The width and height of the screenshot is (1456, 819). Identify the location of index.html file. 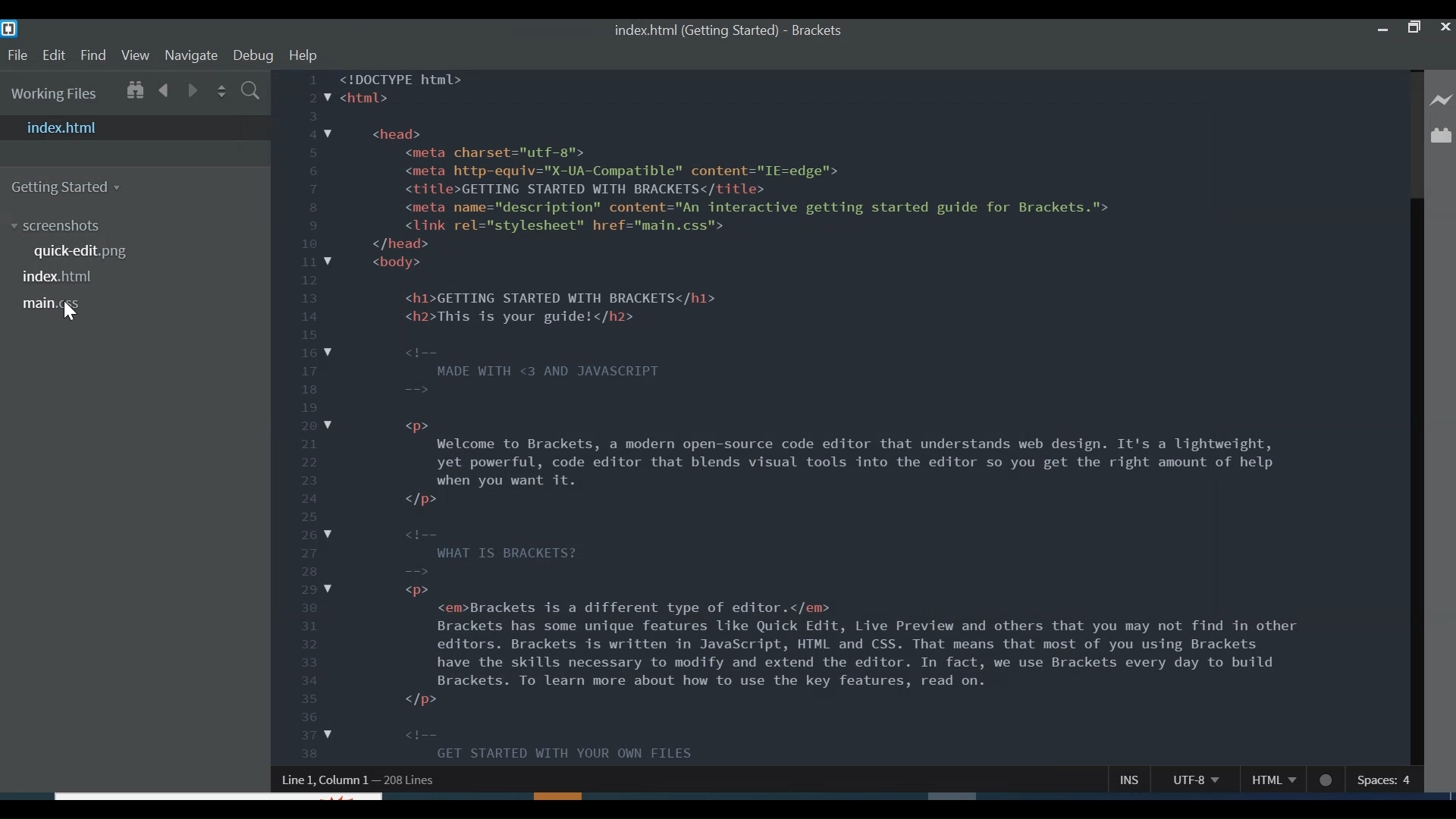
(63, 276).